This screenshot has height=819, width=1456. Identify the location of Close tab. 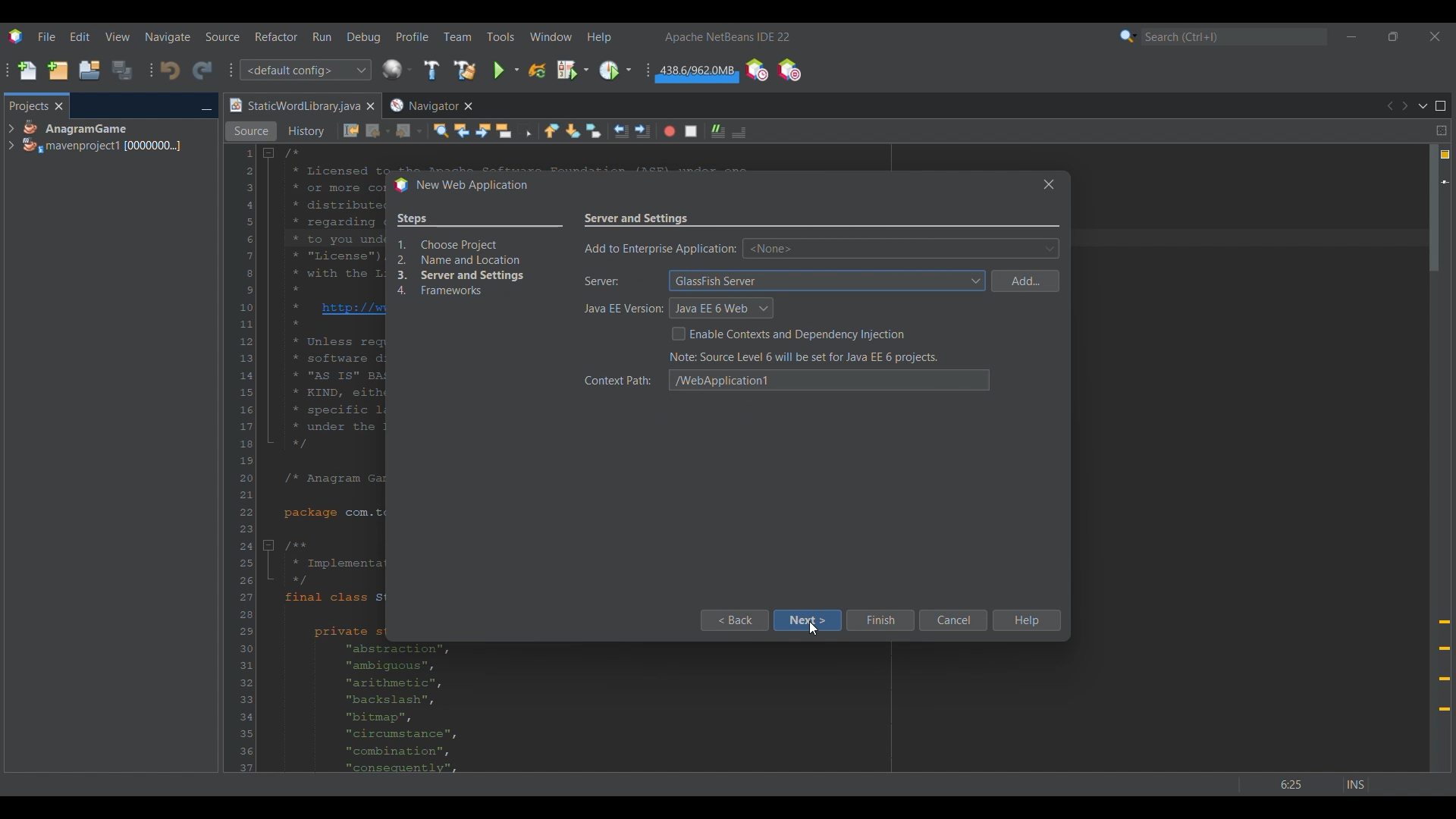
(59, 106).